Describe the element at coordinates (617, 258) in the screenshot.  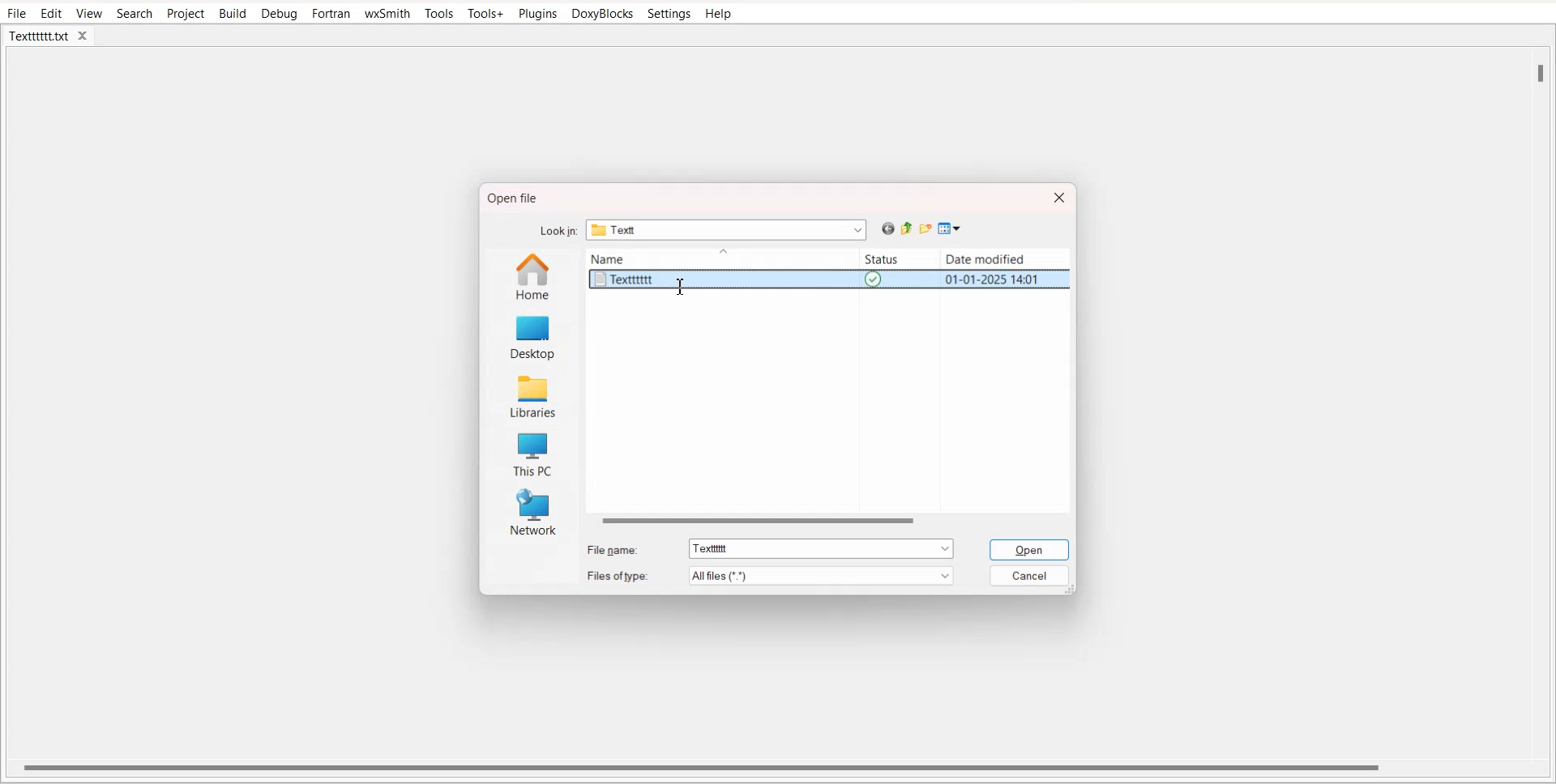
I see `Name` at that location.